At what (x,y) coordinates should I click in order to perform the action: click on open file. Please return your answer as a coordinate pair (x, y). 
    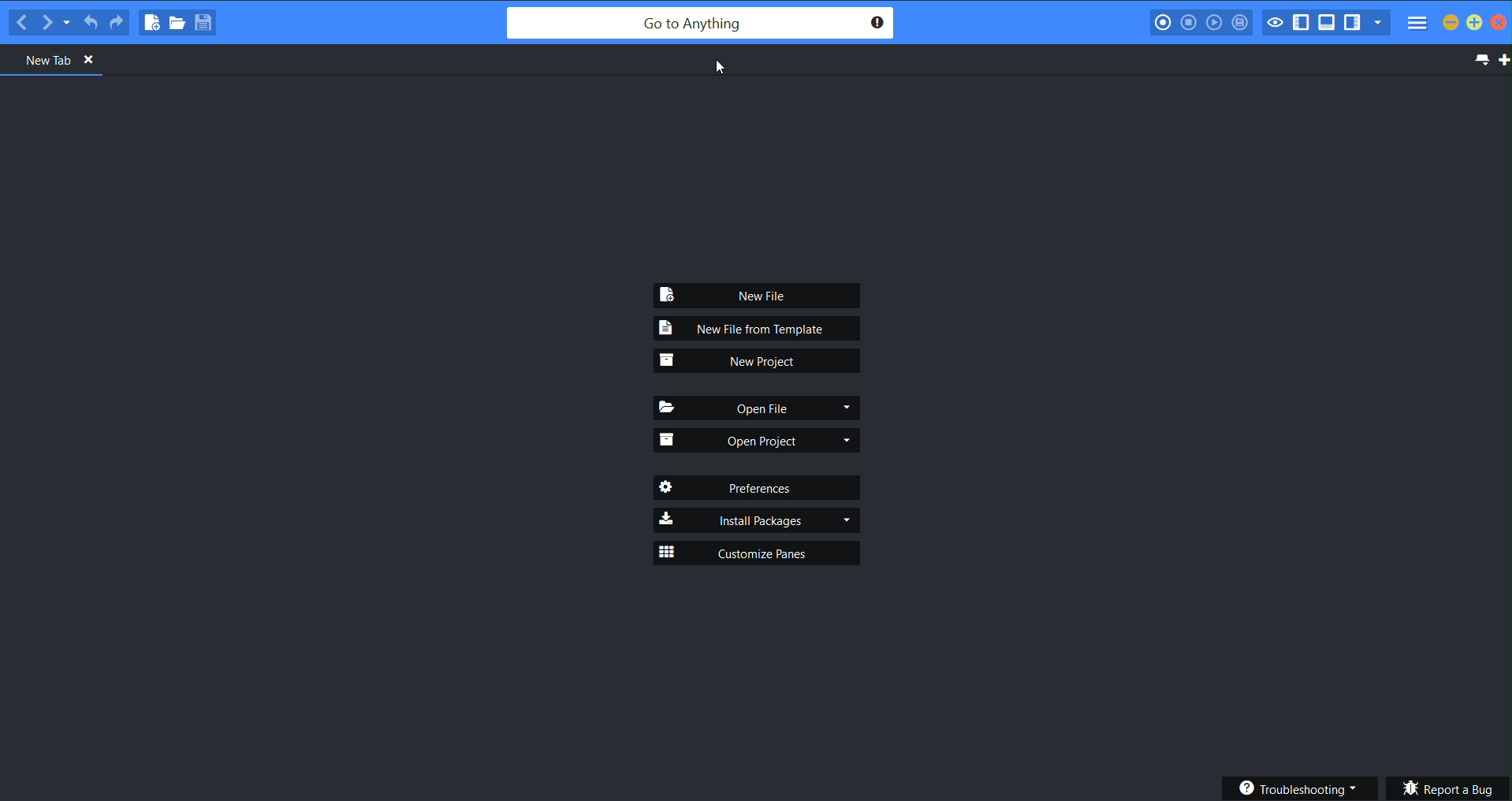
    Looking at the image, I should click on (177, 23).